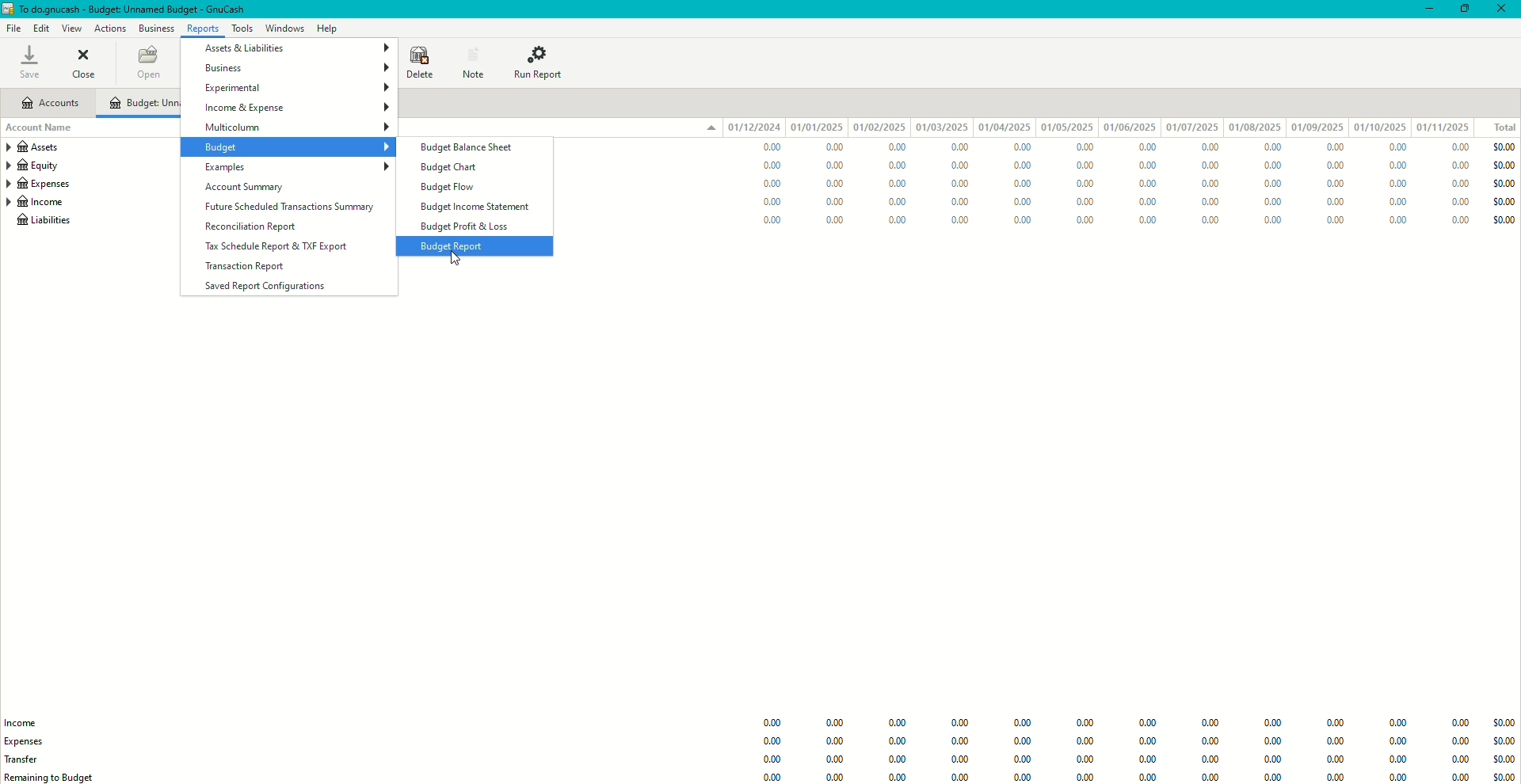 The image size is (1521, 784). Describe the element at coordinates (293, 48) in the screenshot. I see `Assets and Liabilities` at that location.